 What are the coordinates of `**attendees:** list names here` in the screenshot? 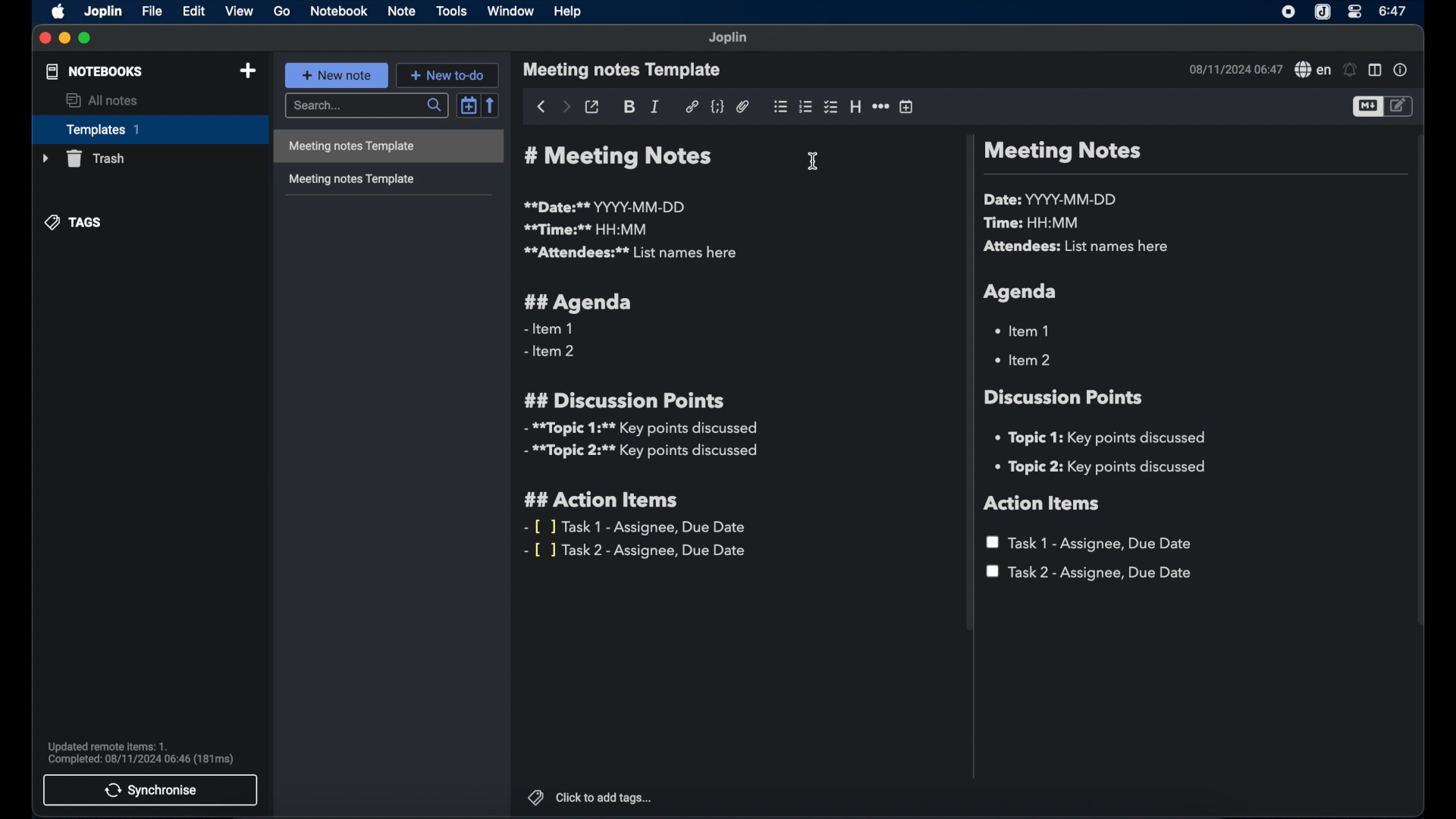 It's located at (629, 253).